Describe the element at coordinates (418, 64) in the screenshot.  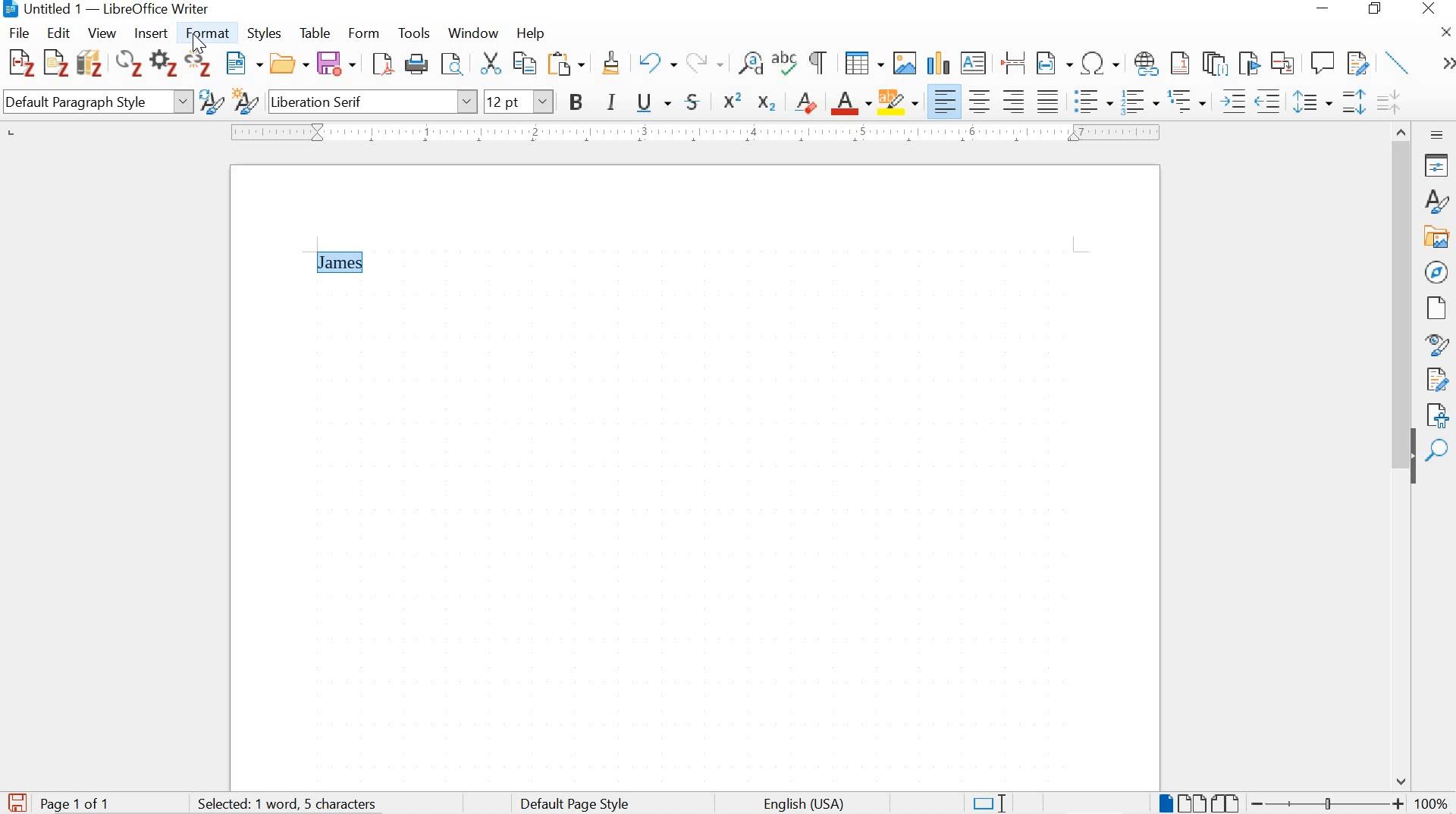
I see `print` at that location.